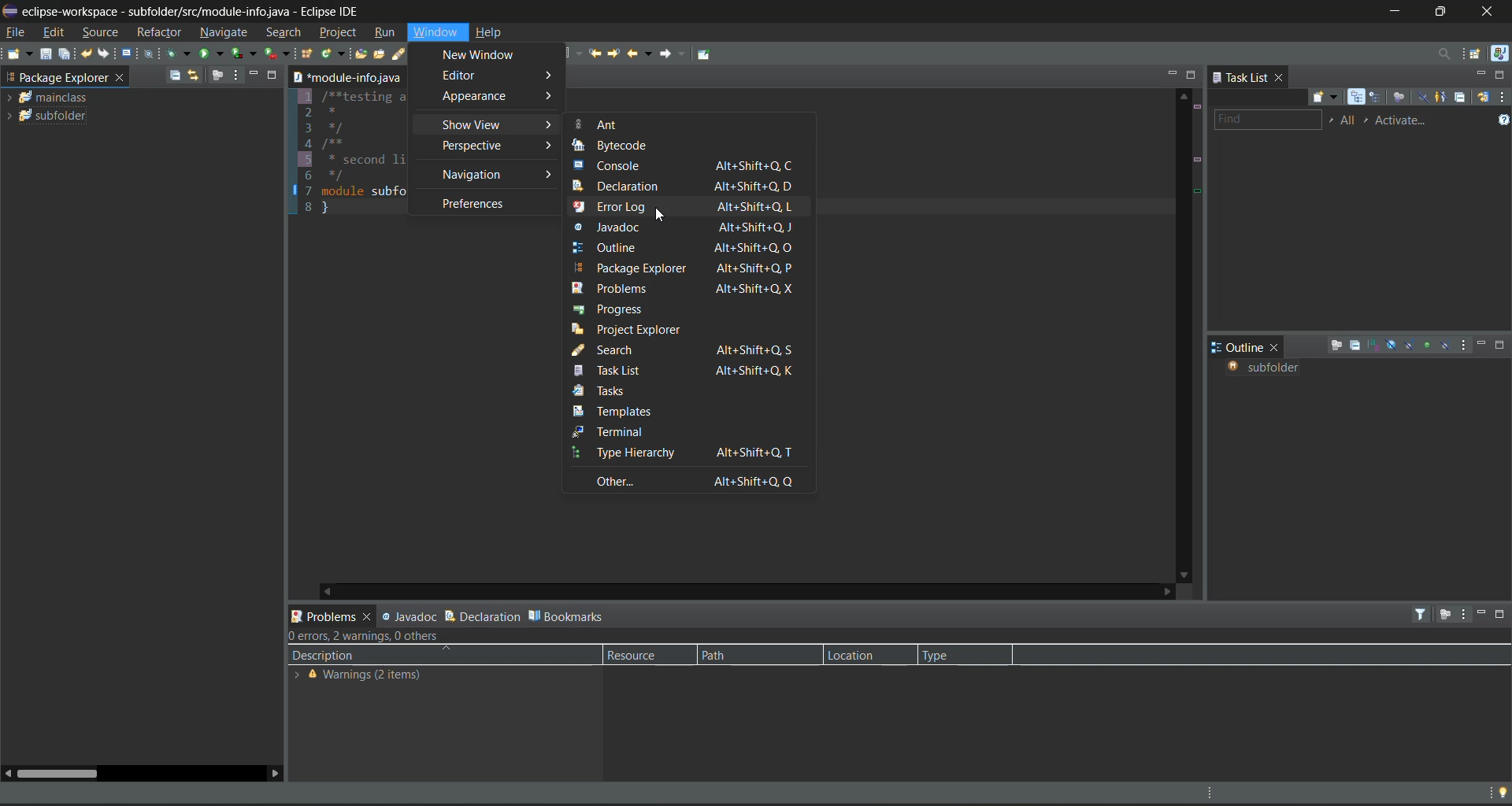  Describe the element at coordinates (1374, 344) in the screenshot. I see `sort` at that location.